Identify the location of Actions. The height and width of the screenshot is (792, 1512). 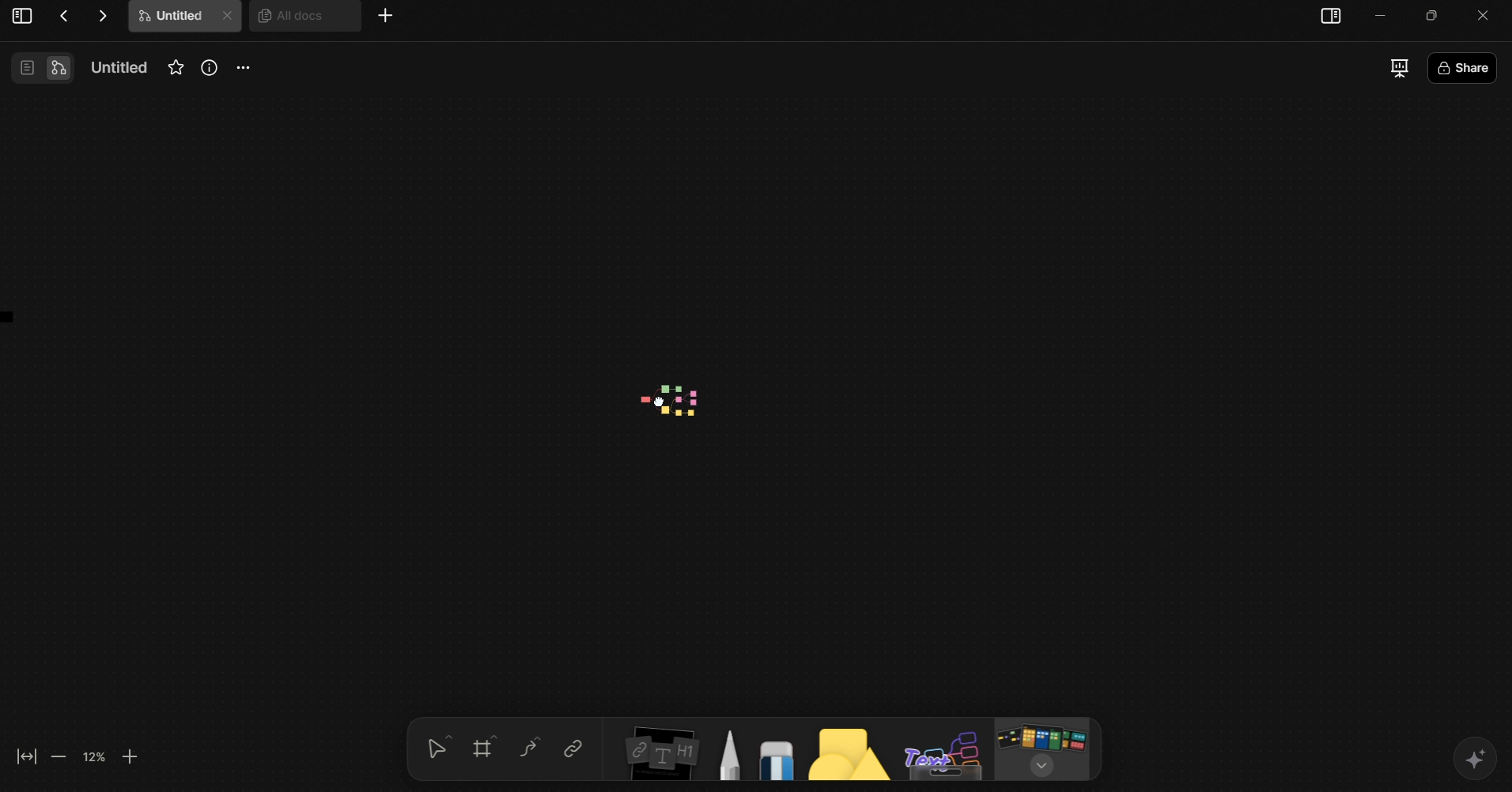
(83, 16).